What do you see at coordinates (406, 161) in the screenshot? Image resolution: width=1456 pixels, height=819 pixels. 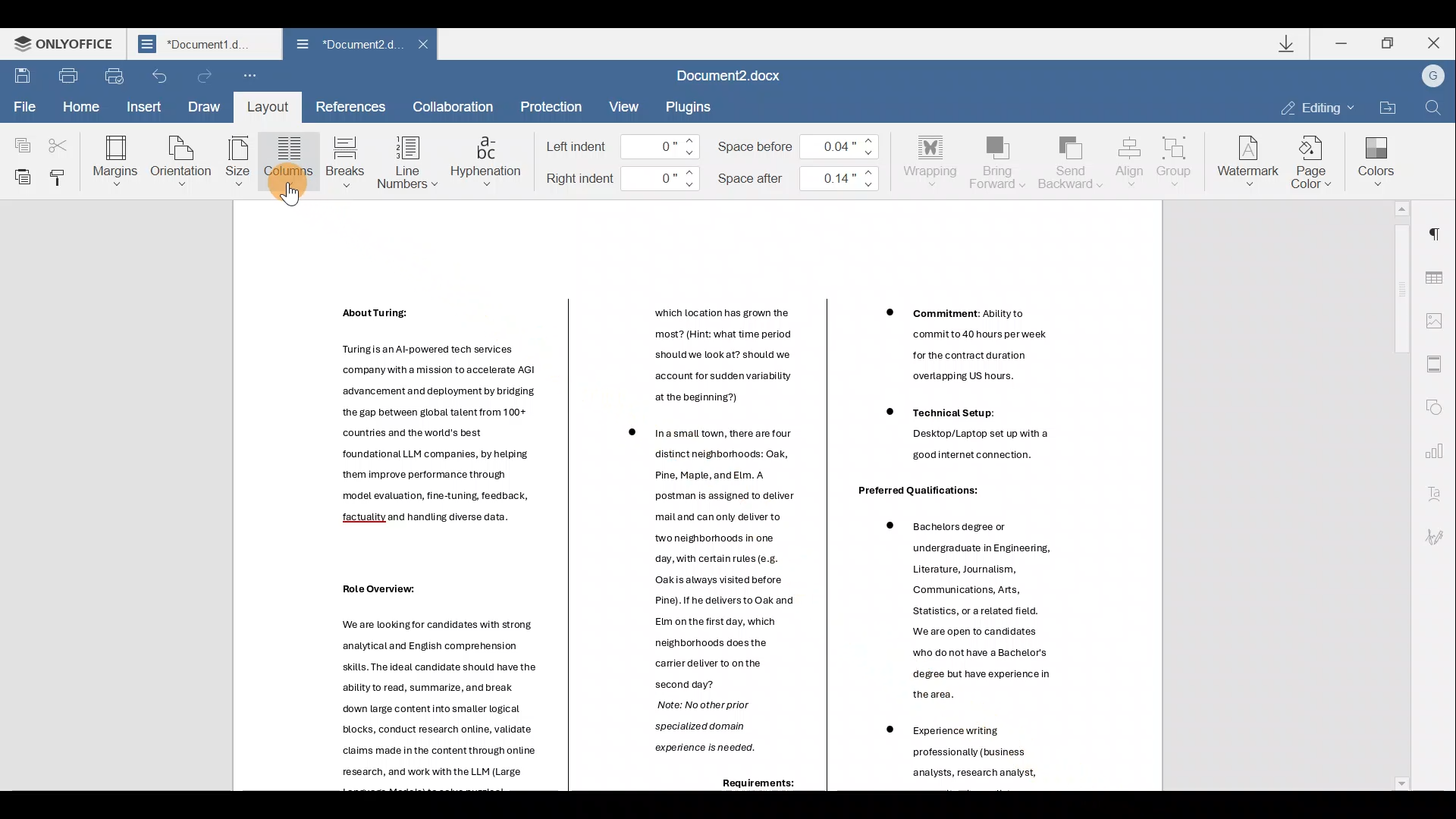 I see `Line numbers` at bounding box center [406, 161].